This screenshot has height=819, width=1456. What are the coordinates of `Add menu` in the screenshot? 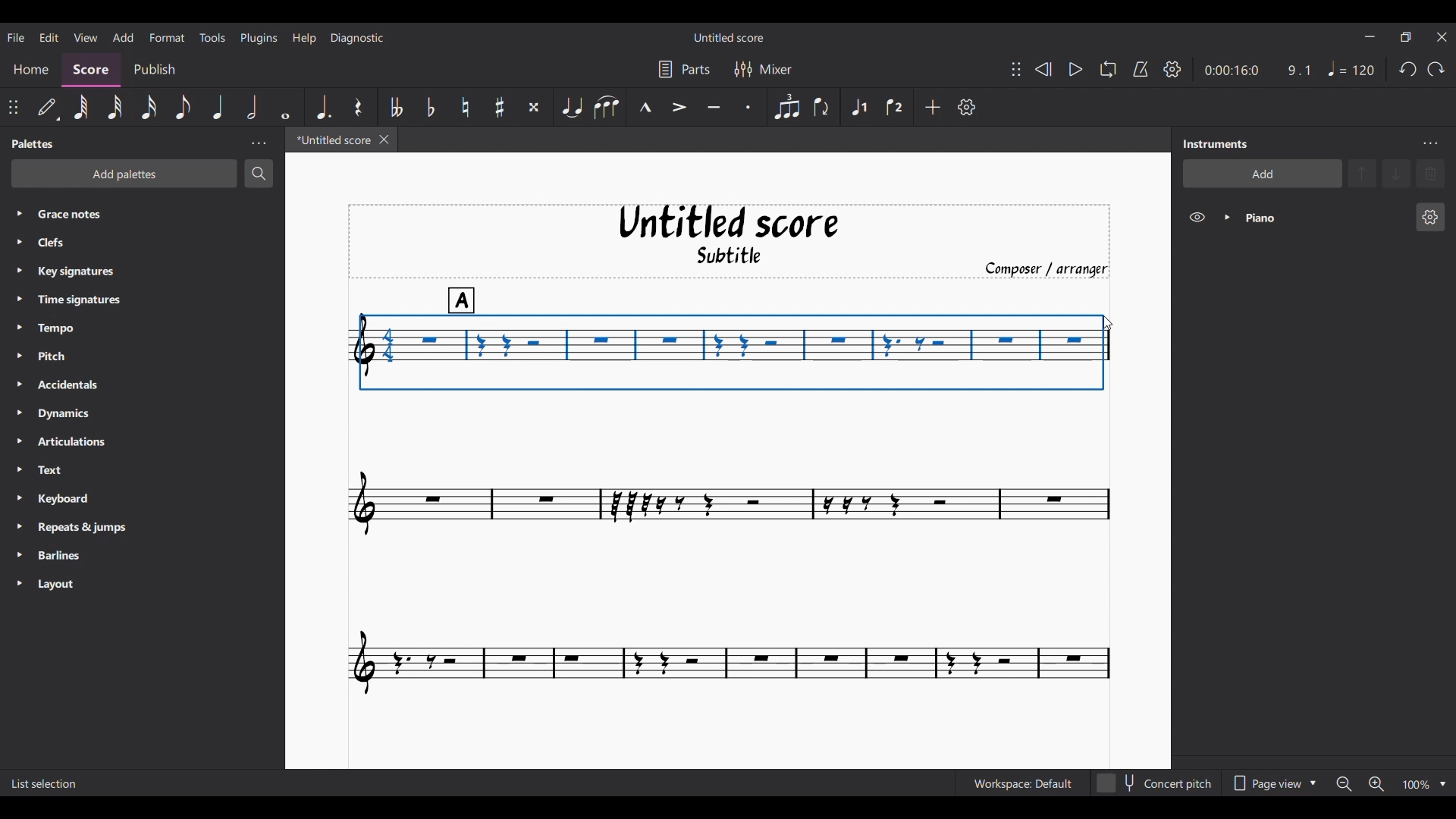 It's located at (123, 37).